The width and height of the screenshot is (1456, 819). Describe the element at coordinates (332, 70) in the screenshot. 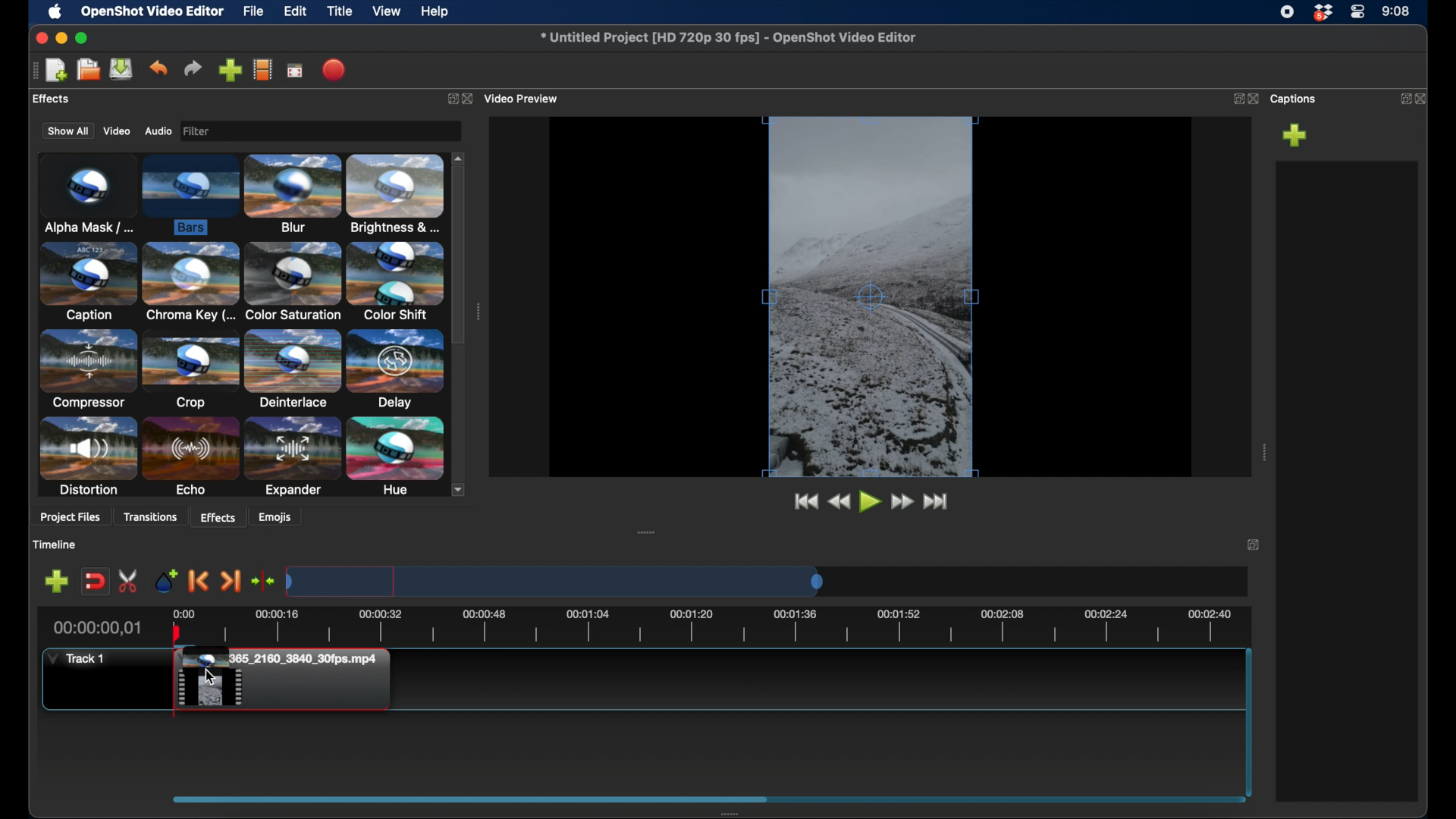

I see `export video` at that location.